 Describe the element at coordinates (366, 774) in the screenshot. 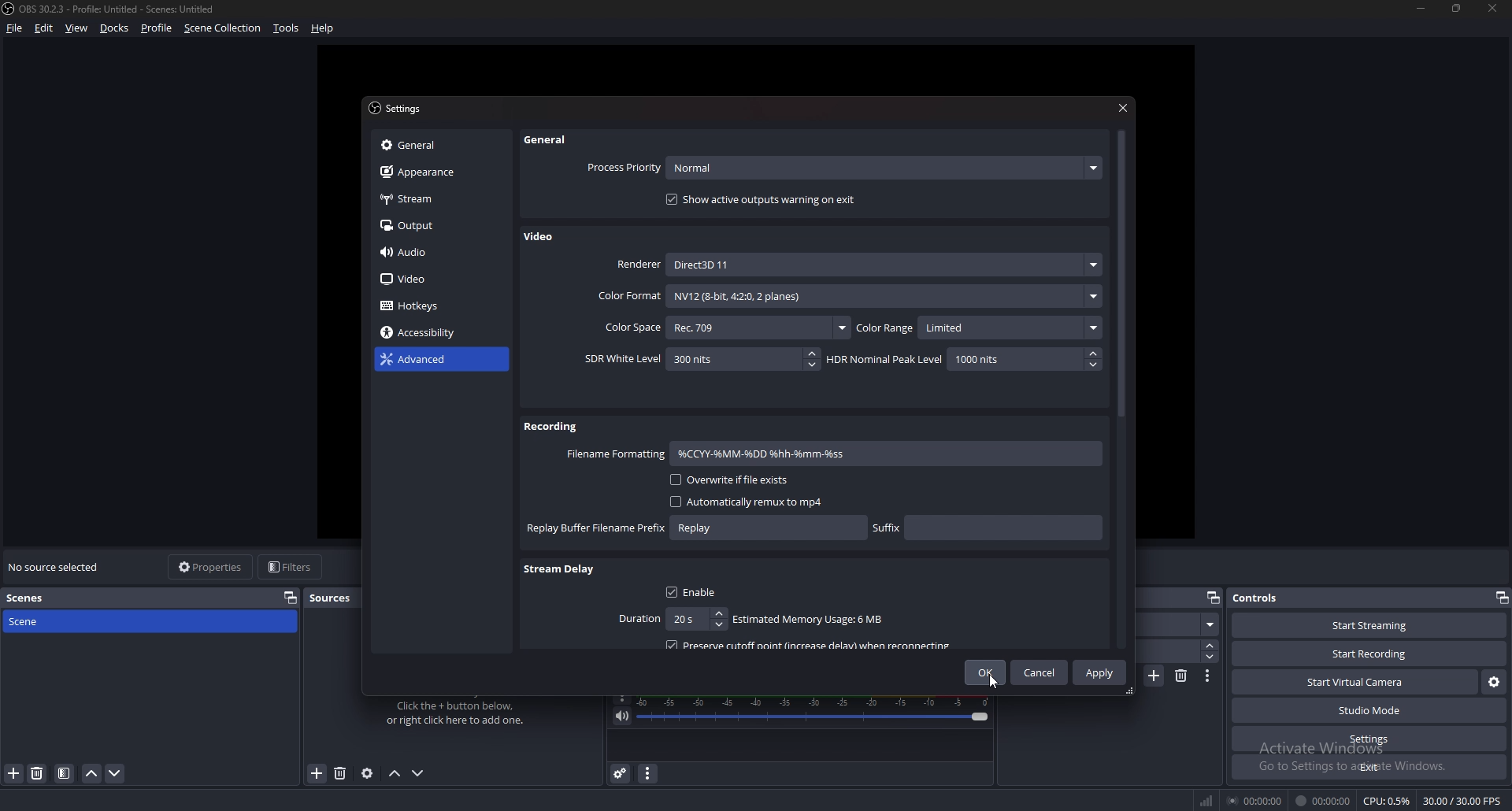

I see `source properties` at that location.